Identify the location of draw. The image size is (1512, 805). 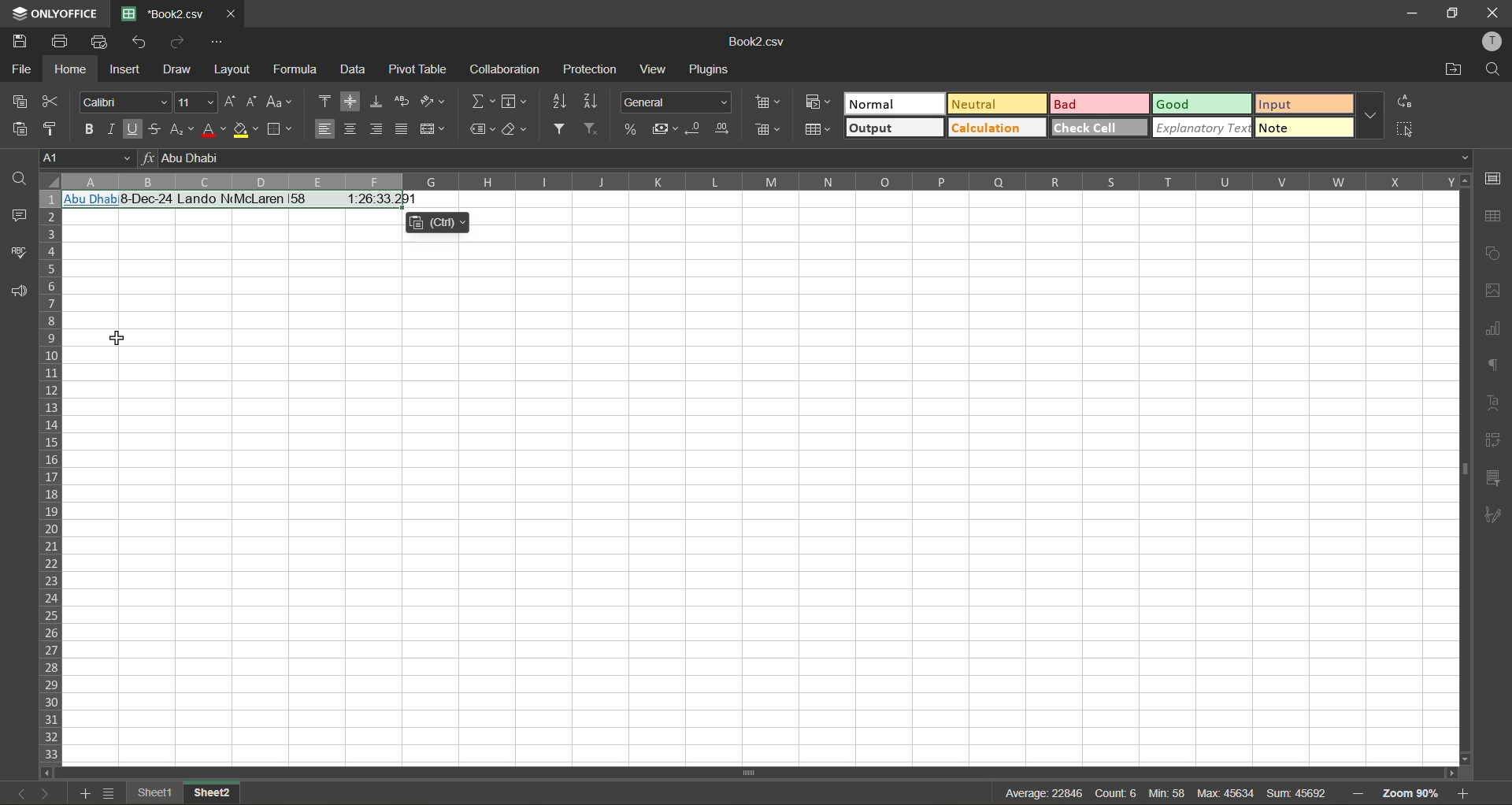
(178, 71).